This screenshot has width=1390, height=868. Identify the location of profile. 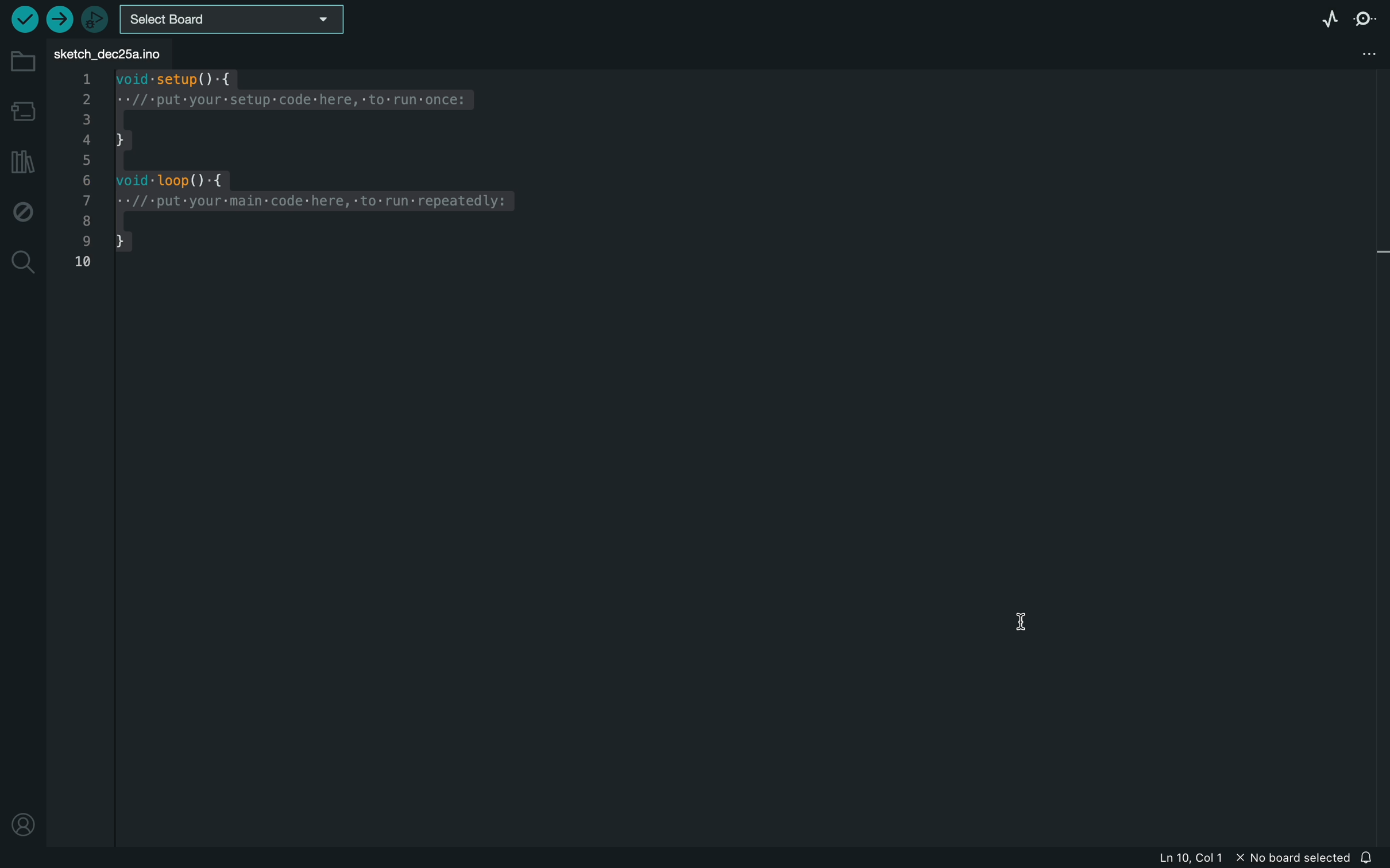
(24, 823).